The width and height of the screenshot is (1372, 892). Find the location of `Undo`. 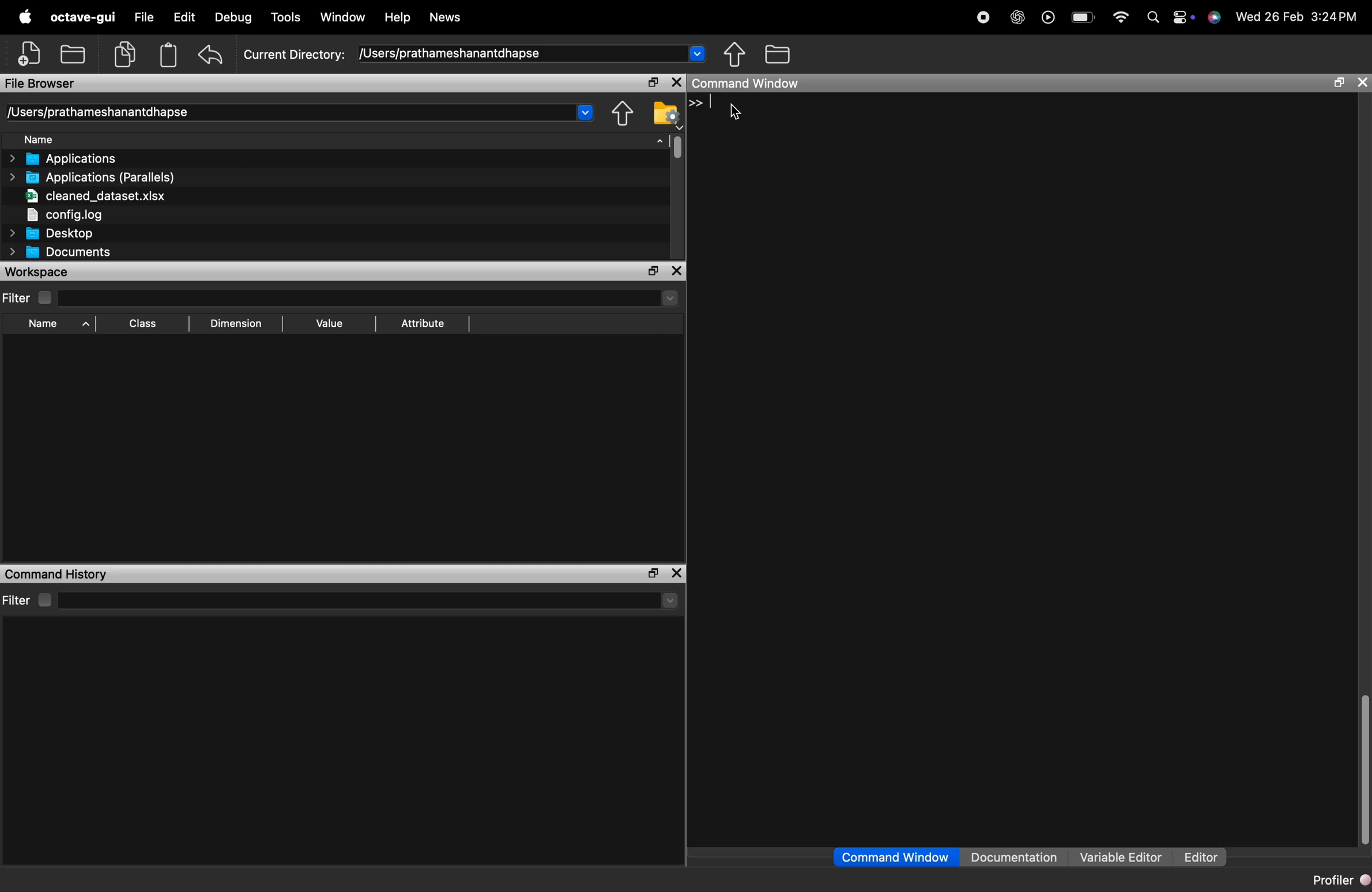

Undo is located at coordinates (210, 56).